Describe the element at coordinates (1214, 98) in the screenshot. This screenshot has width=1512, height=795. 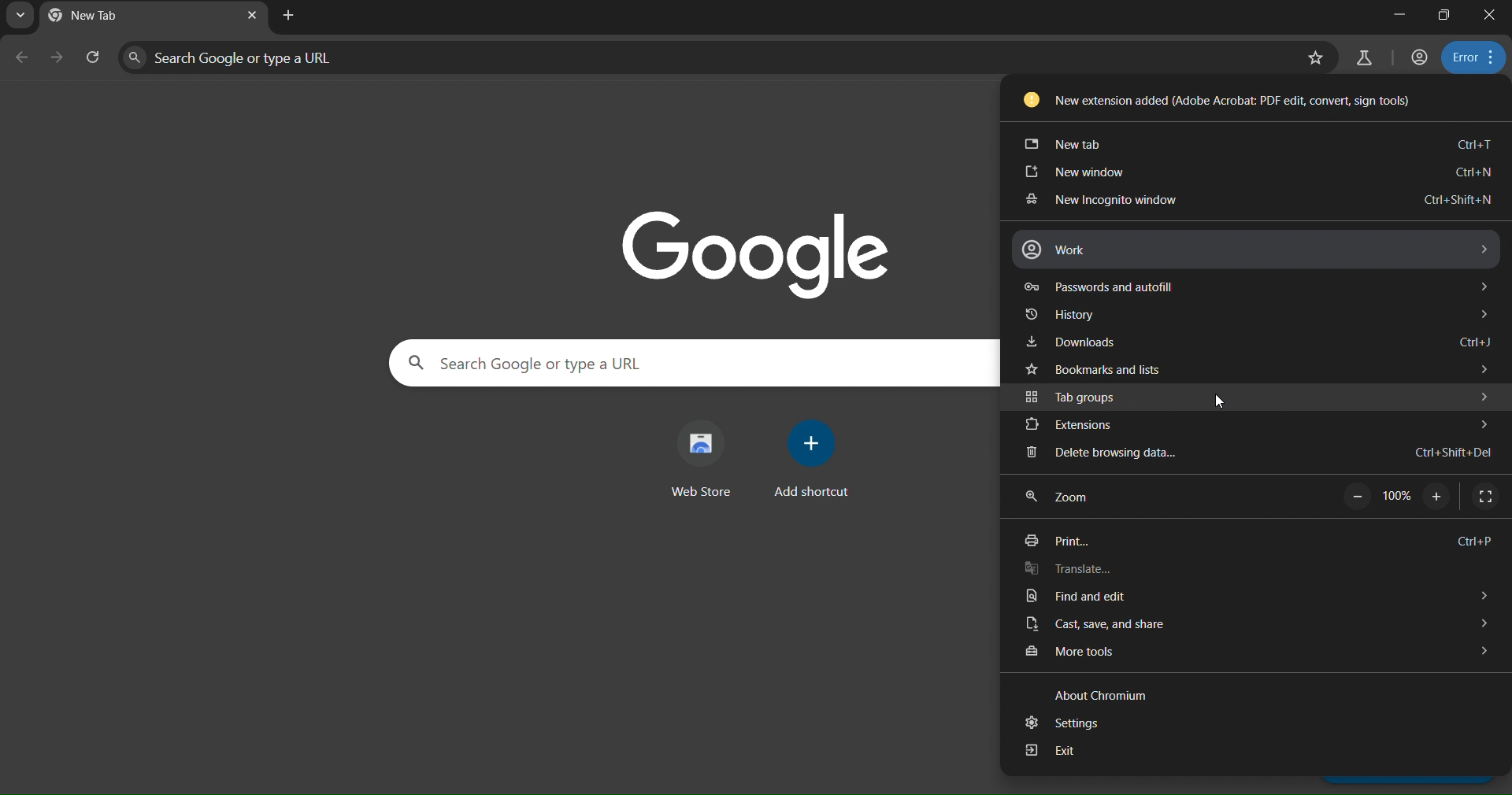
I see `New extension added (Adobe Acrobat: PDF edit, convert, sign tools)` at that location.